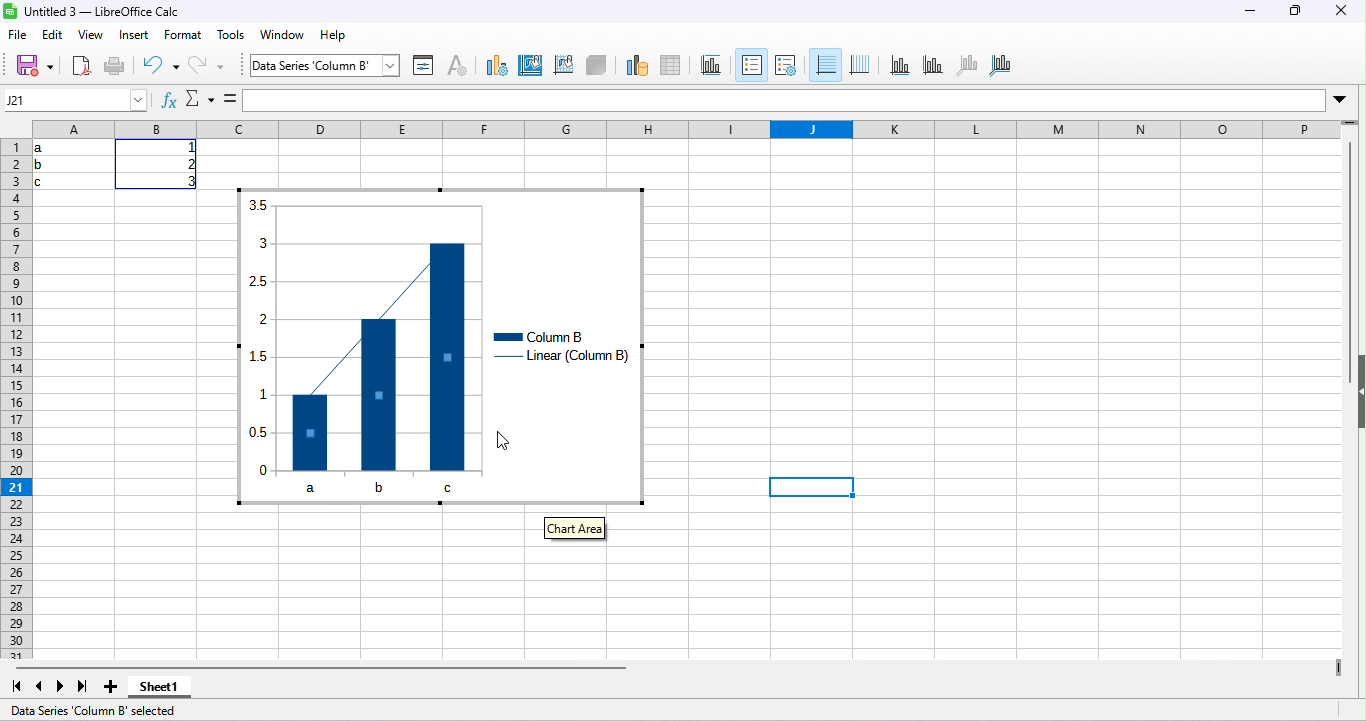  Describe the element at coordinates (463, 67) in the screenshot. I see `character` at that location.